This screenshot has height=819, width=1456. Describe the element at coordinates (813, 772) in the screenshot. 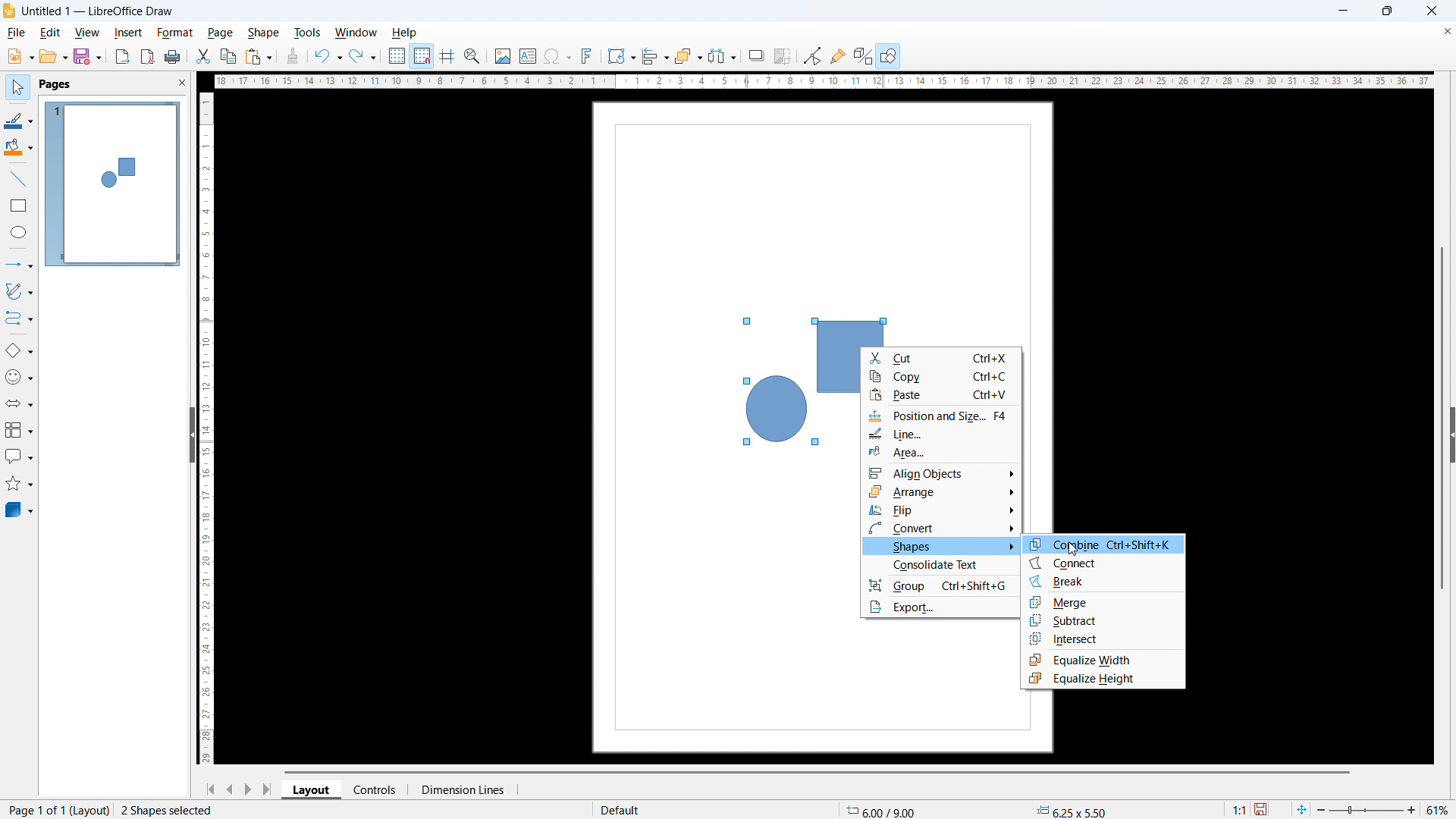

I see `horizontal scrollbar` at that location.